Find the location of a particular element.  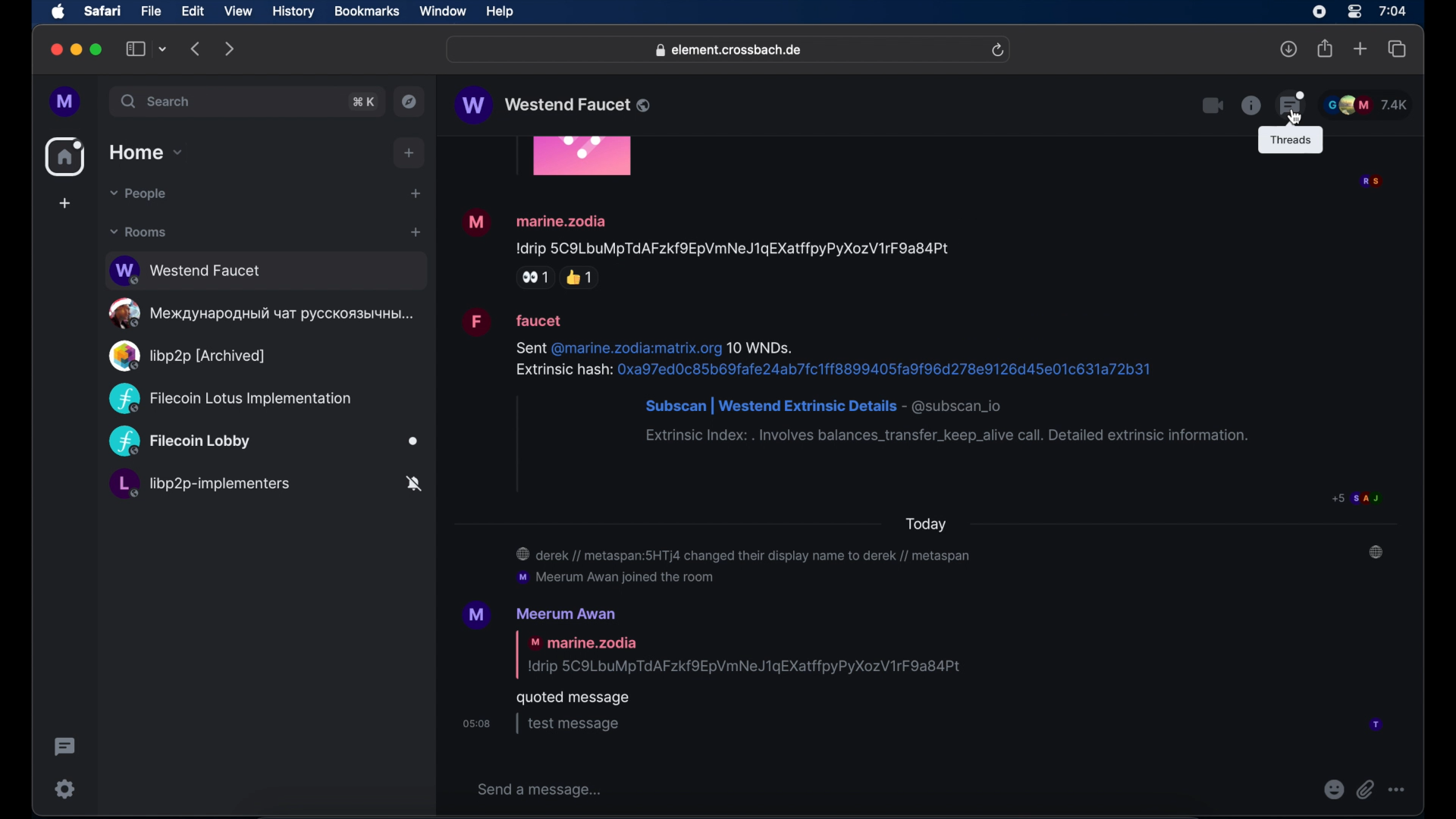

participant is located at coordinates (1369, 105).